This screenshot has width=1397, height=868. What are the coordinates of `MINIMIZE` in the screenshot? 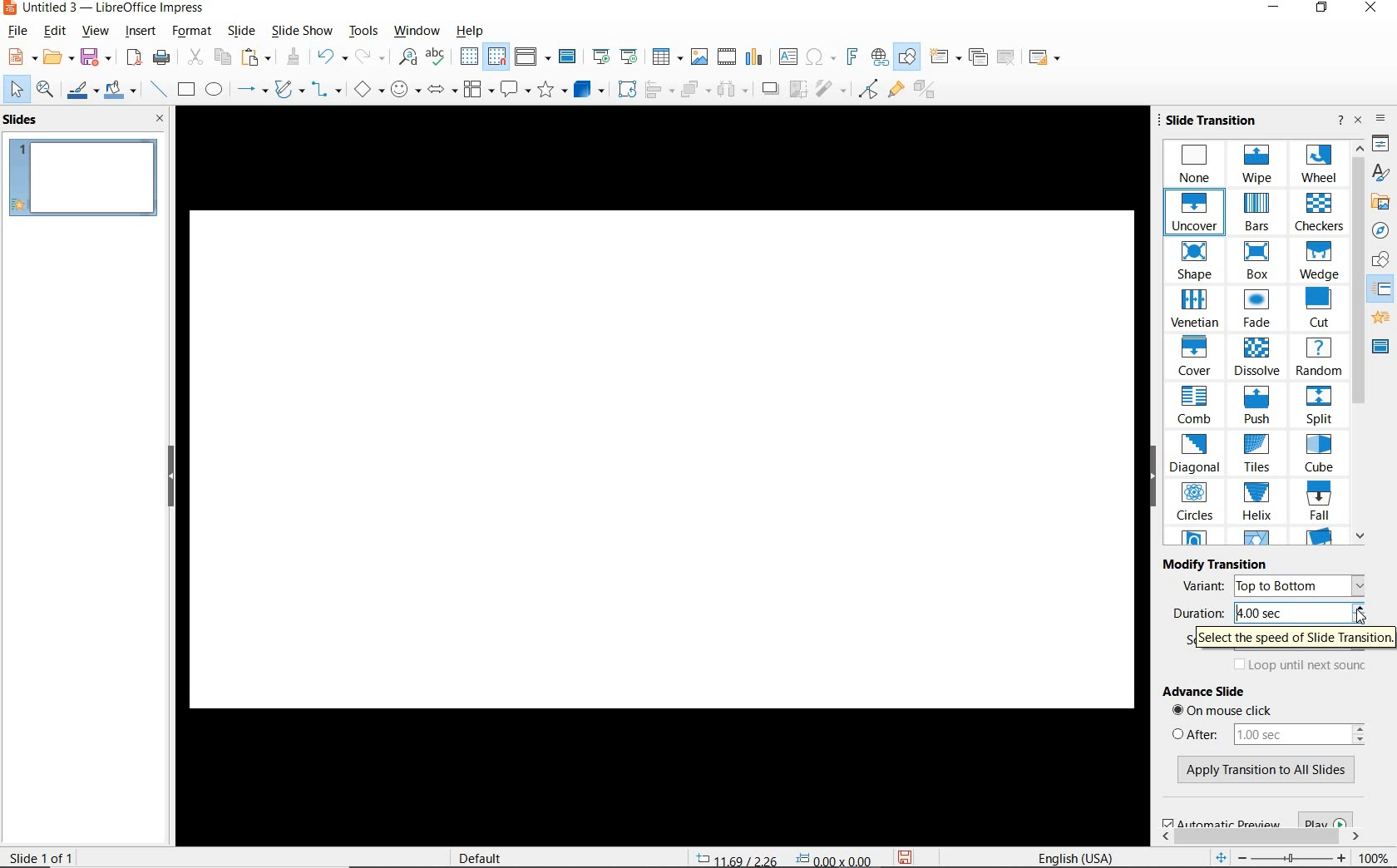 It's located at (1273, 8).